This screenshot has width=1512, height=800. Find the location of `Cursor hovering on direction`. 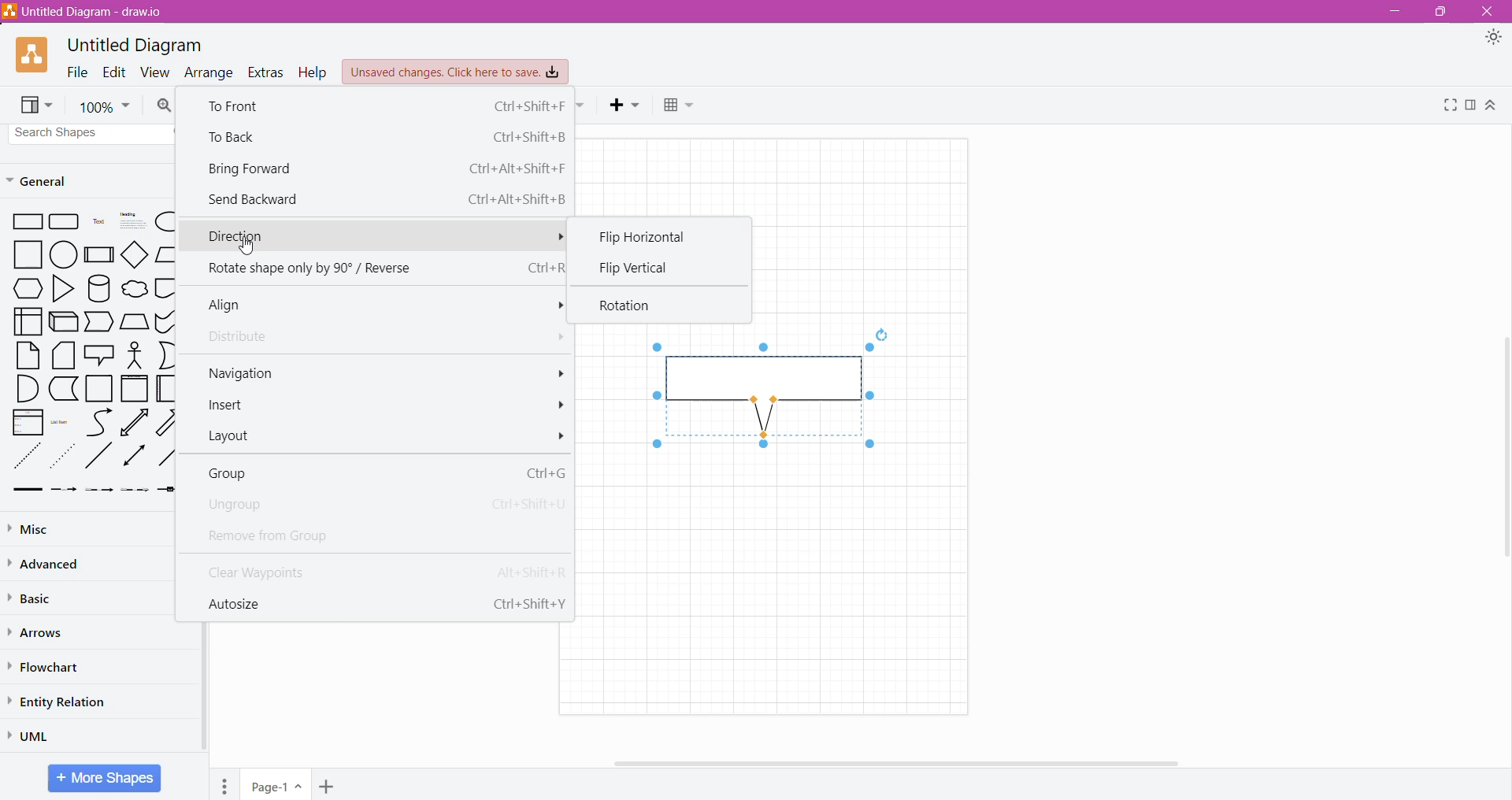

Cursor hovering on direction is located at coordinates (246, 247).